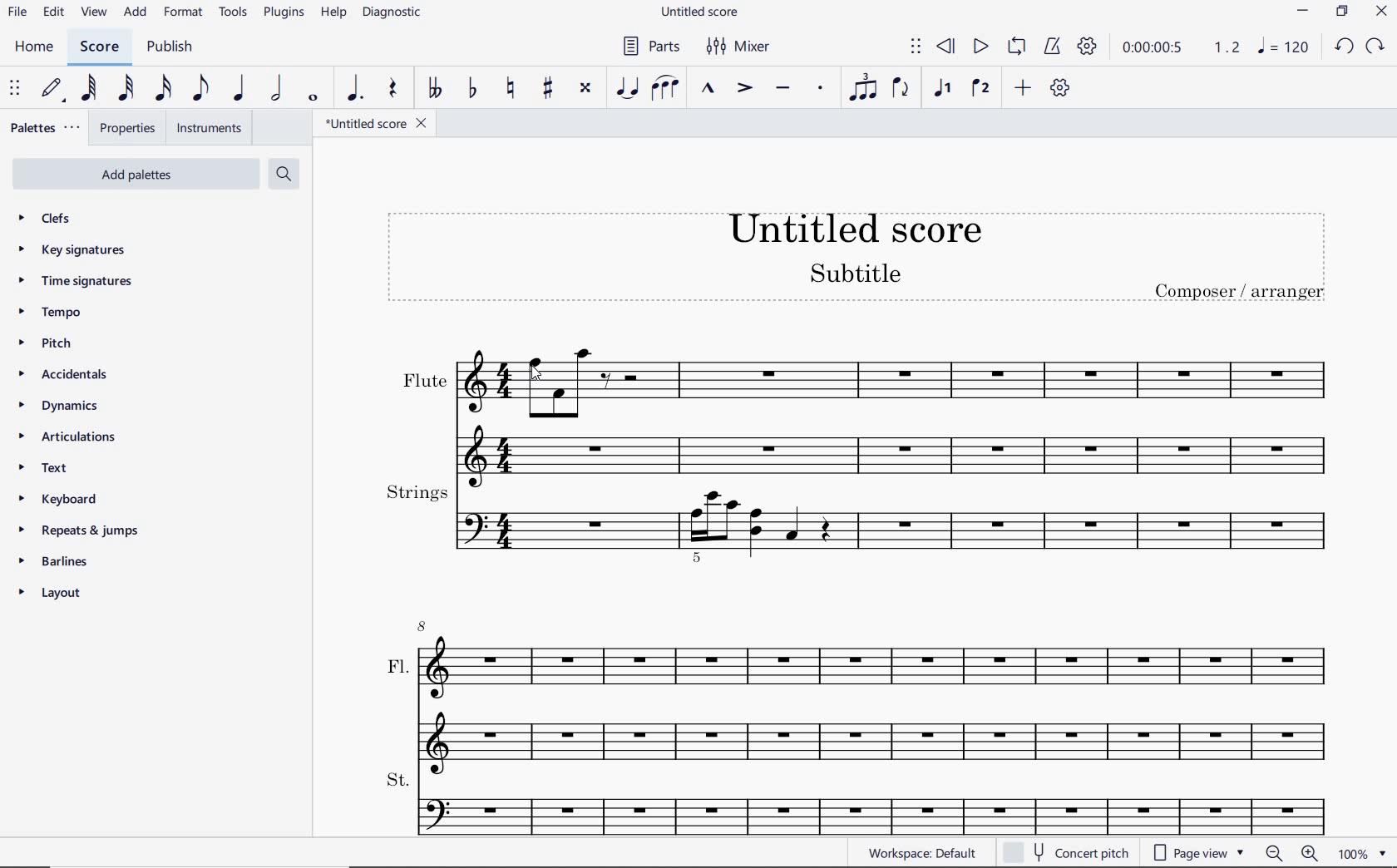 The height and width of the screenshot is (868, 1397). Describe the element at coordinates (876, 692) in the screenshot. I see `fl.` at that location.